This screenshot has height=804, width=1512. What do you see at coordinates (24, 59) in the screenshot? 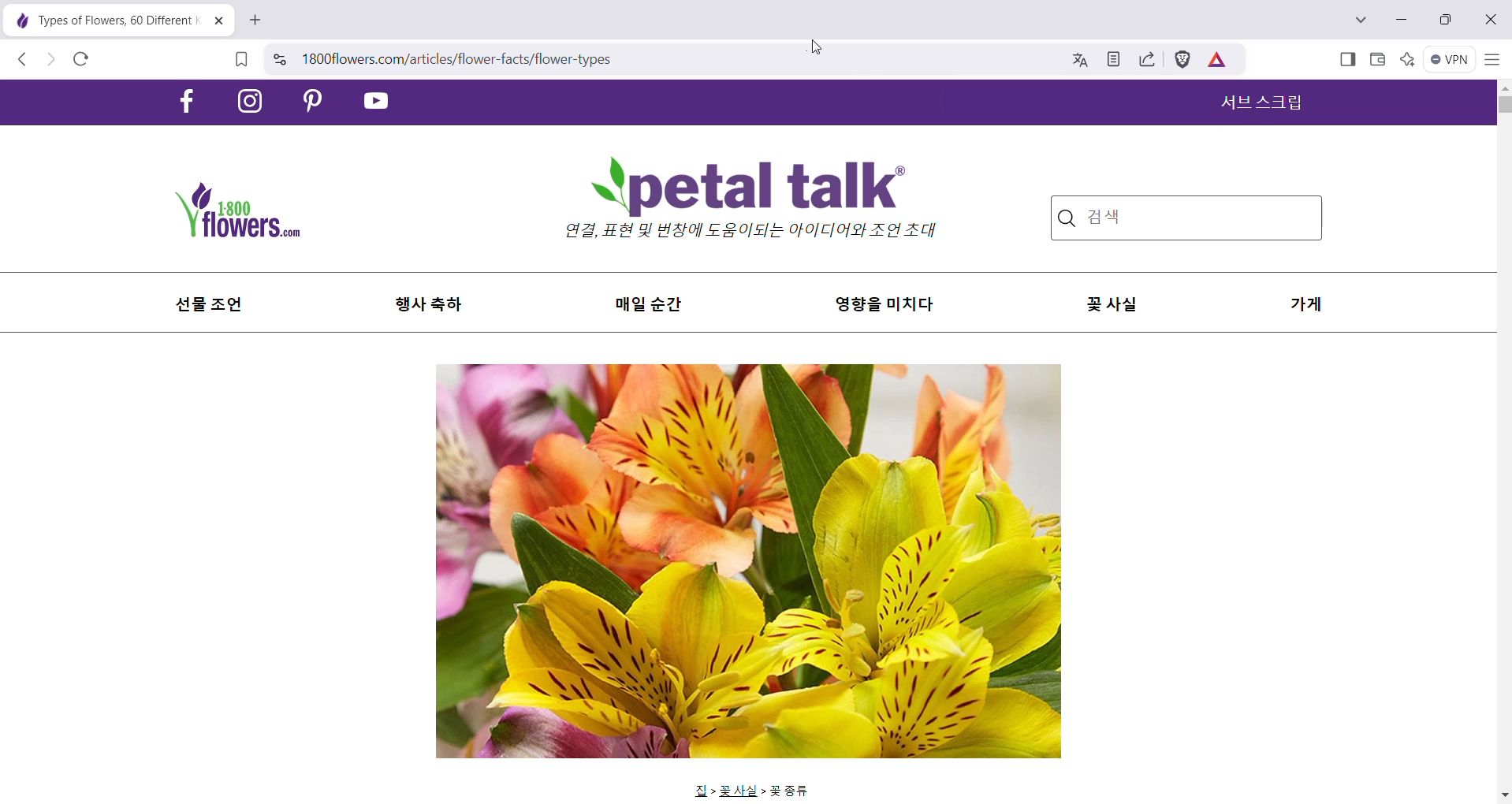
I see `Click to go back, hold to see history` at bounding box center [24, 59].